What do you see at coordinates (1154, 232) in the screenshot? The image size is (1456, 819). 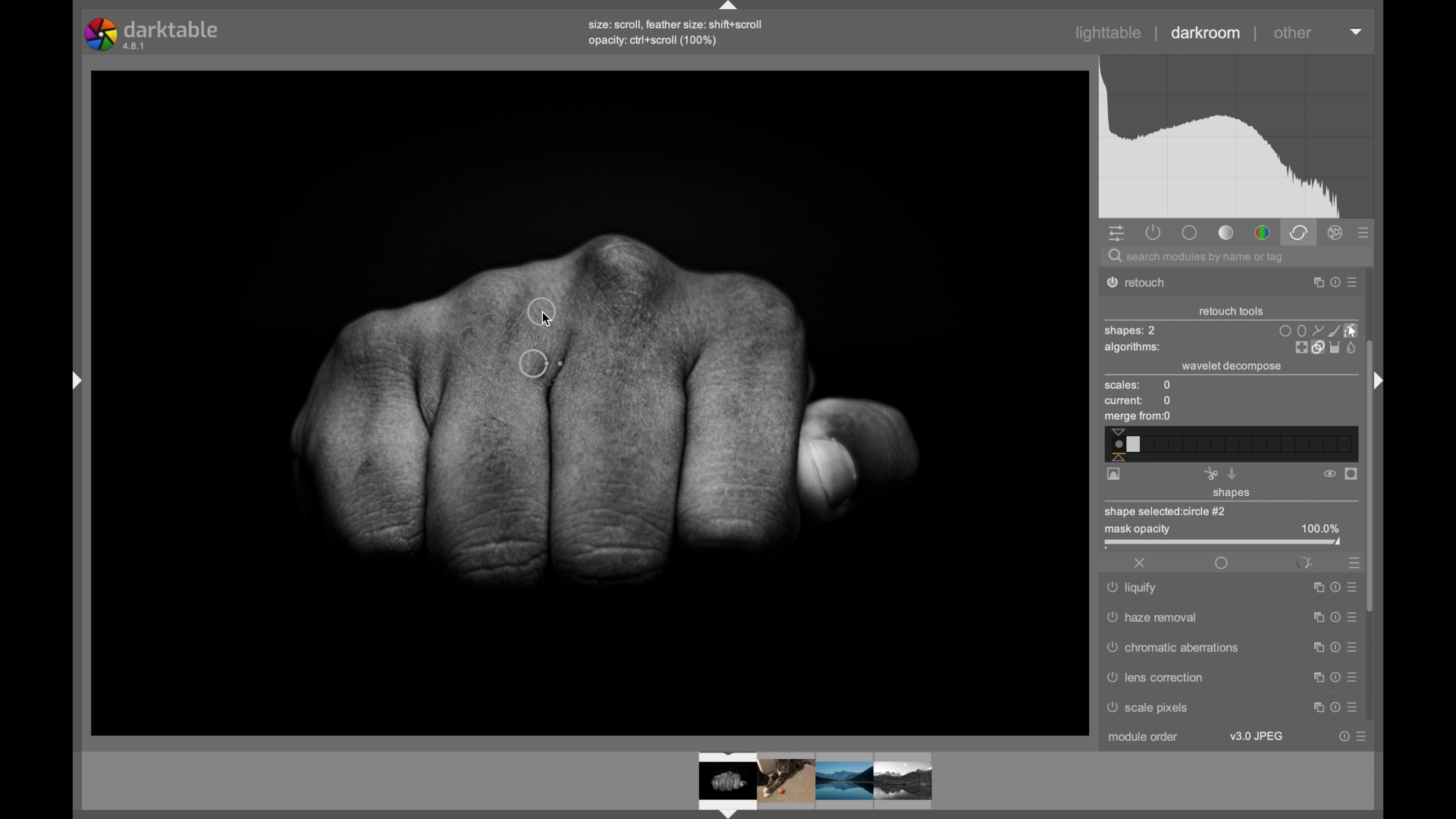 I see `show active modules only` at bounding box center [1154, 232].